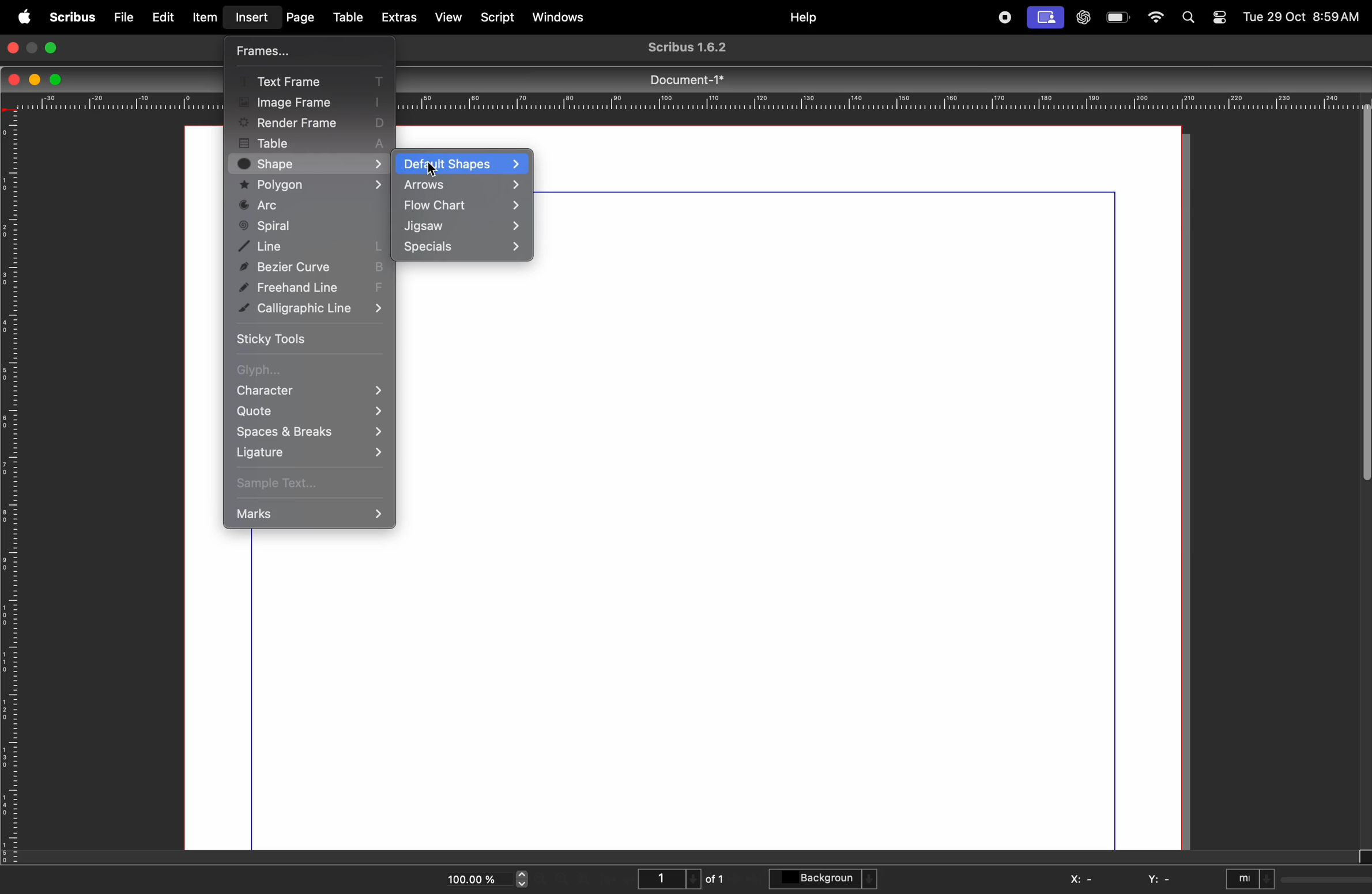  Describe the element at coordinates (1359, 316) in the screenshot. I see `verticle sidebar` at that location.